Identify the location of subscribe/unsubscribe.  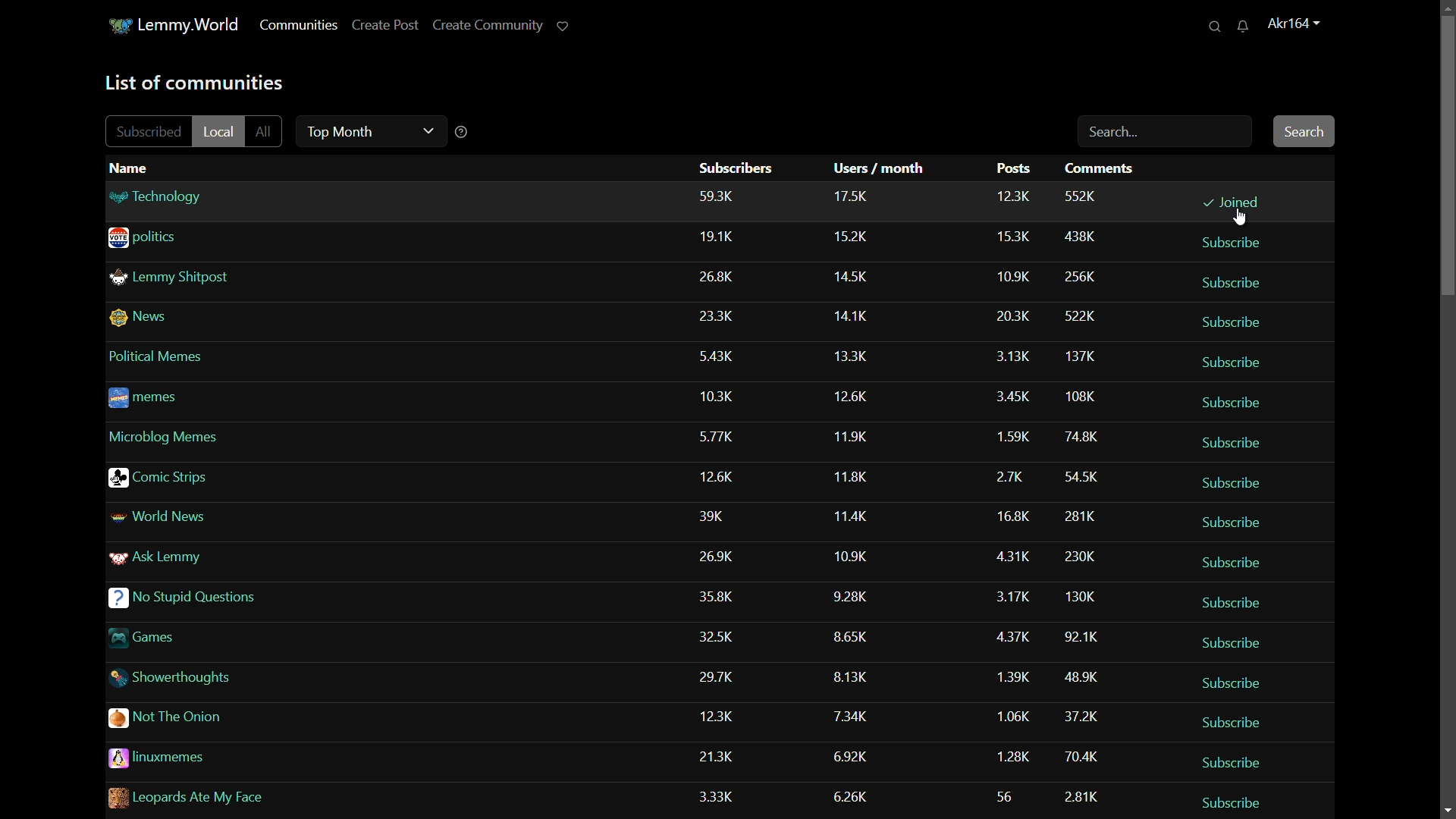
(1232, 602).